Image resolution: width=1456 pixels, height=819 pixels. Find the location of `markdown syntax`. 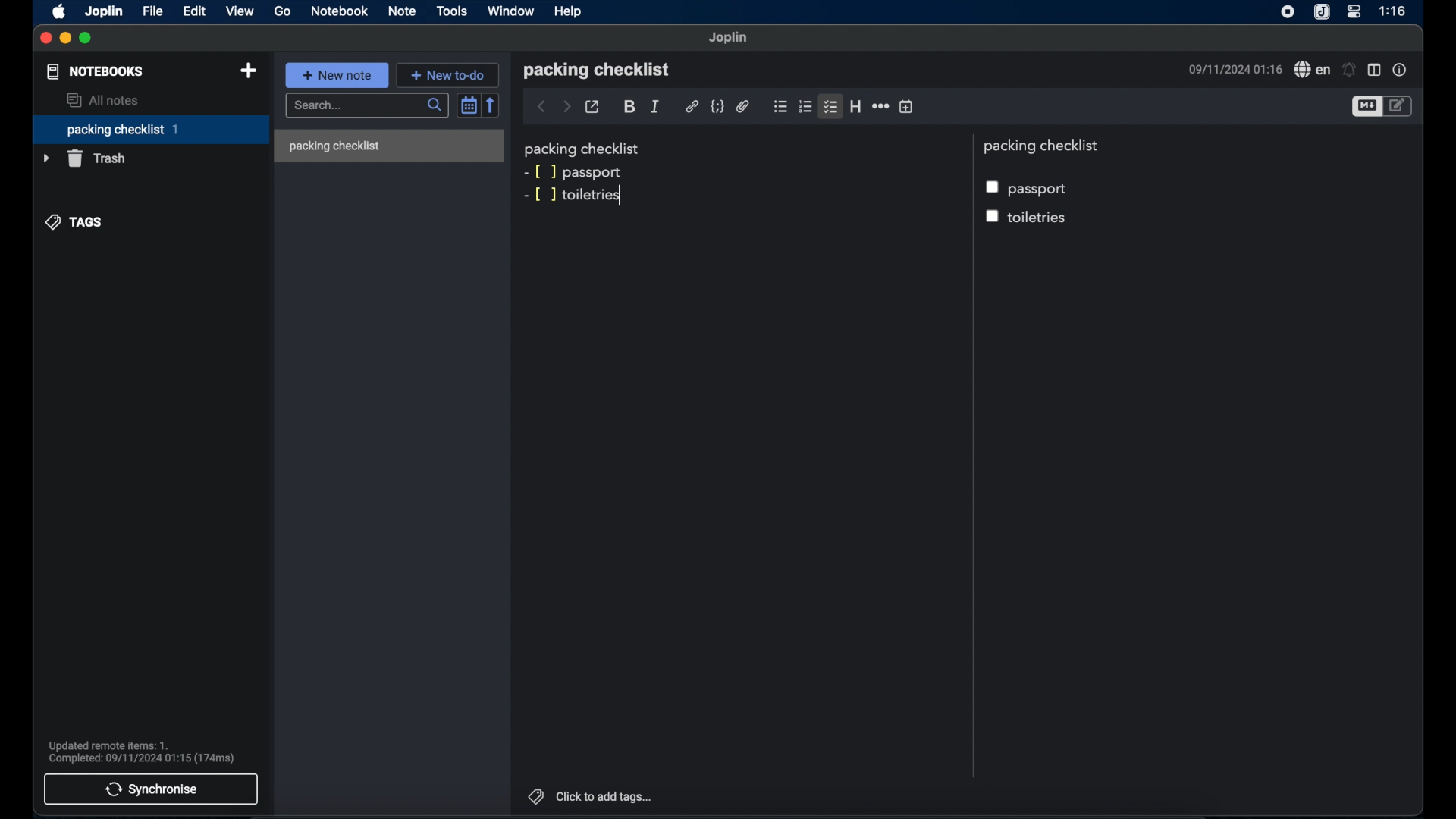

markdown syntax is located at coordinates (541, 195).